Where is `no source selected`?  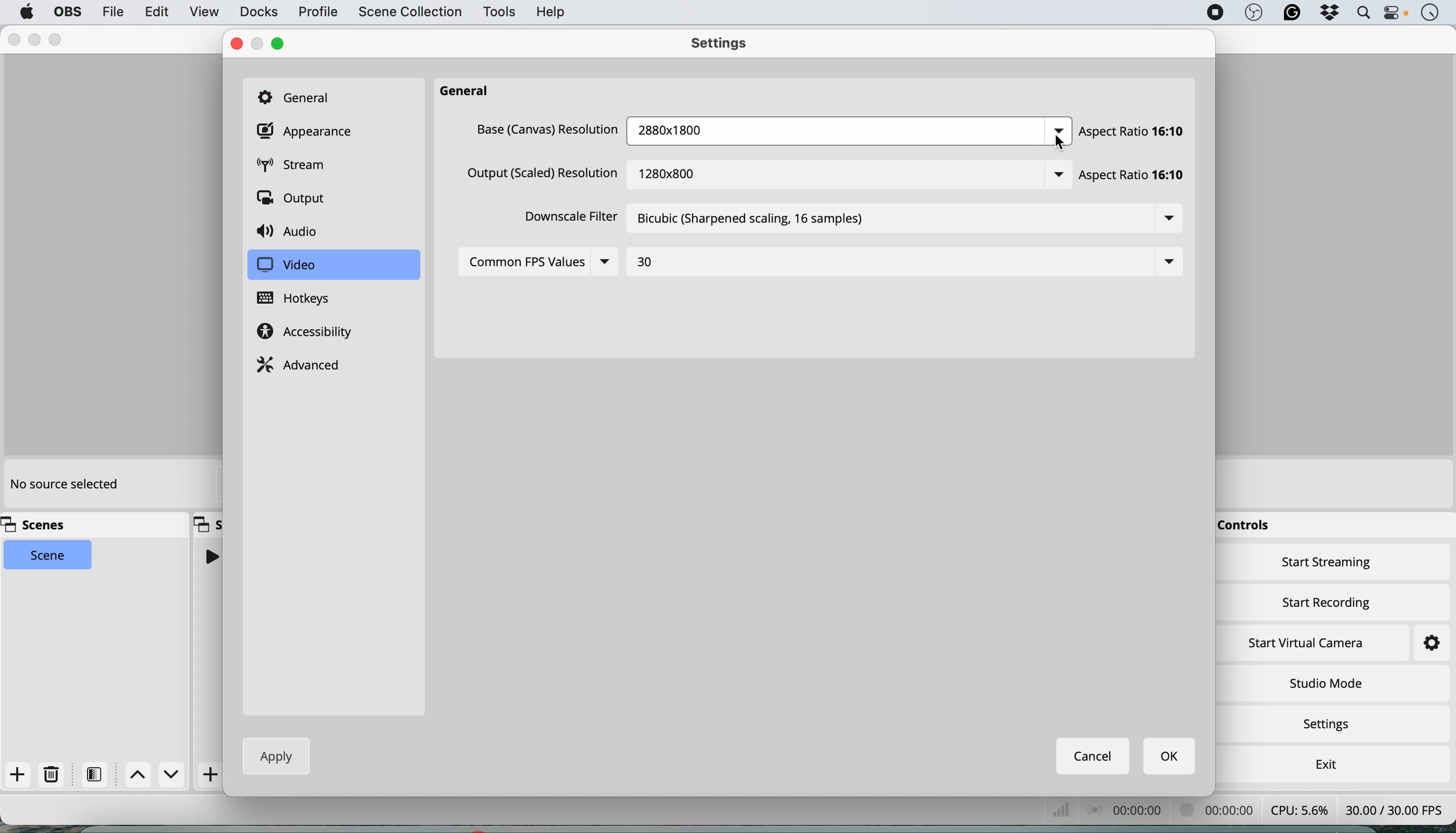
no source selected is located at coordinates (63, 485).